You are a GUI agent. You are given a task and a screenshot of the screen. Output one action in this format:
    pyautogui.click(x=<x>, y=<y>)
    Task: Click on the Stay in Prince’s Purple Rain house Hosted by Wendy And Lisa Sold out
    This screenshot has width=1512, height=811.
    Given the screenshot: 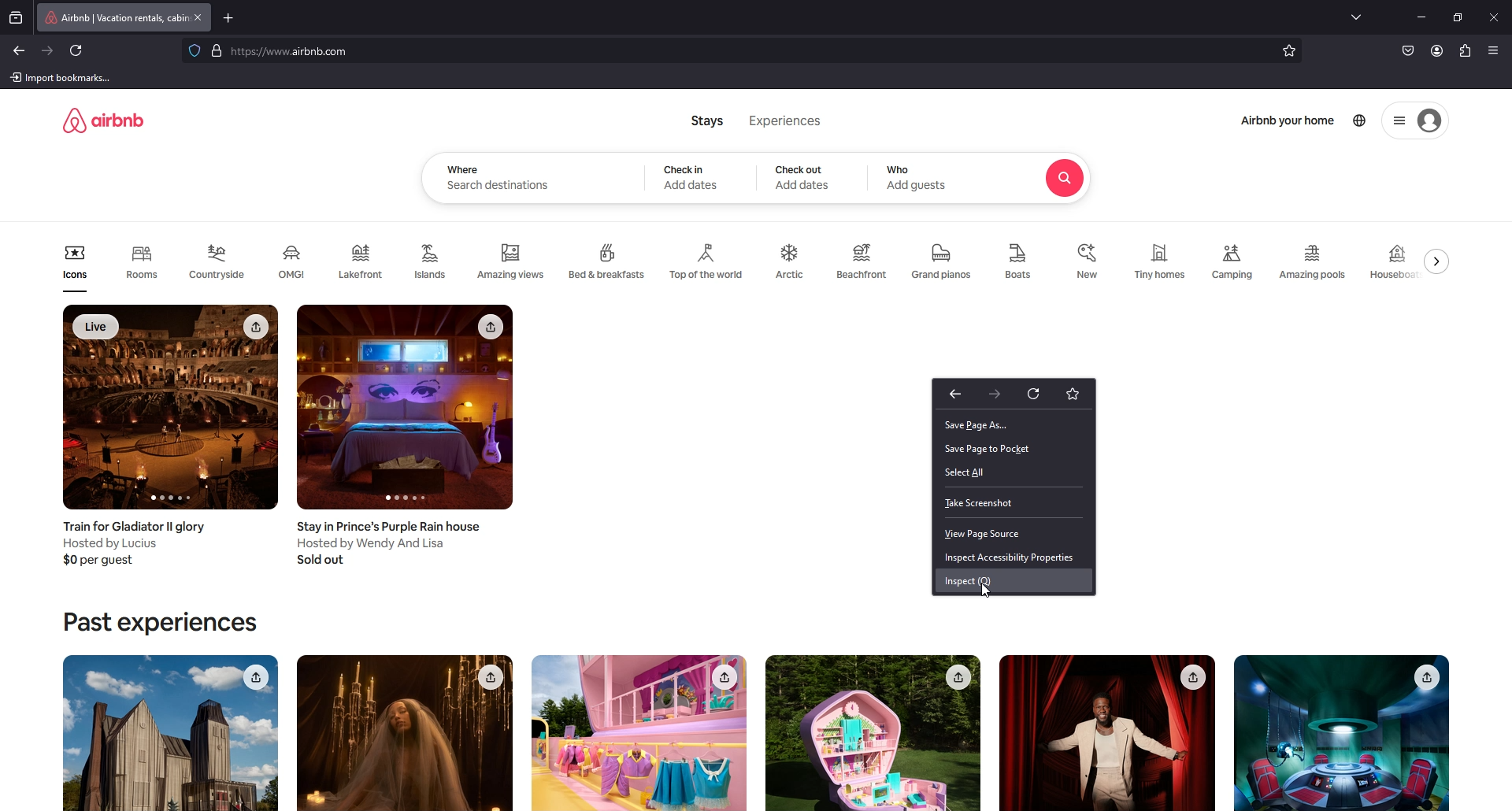 What is the action you would take?
    pyautogui.click(x=394, y=545)
    